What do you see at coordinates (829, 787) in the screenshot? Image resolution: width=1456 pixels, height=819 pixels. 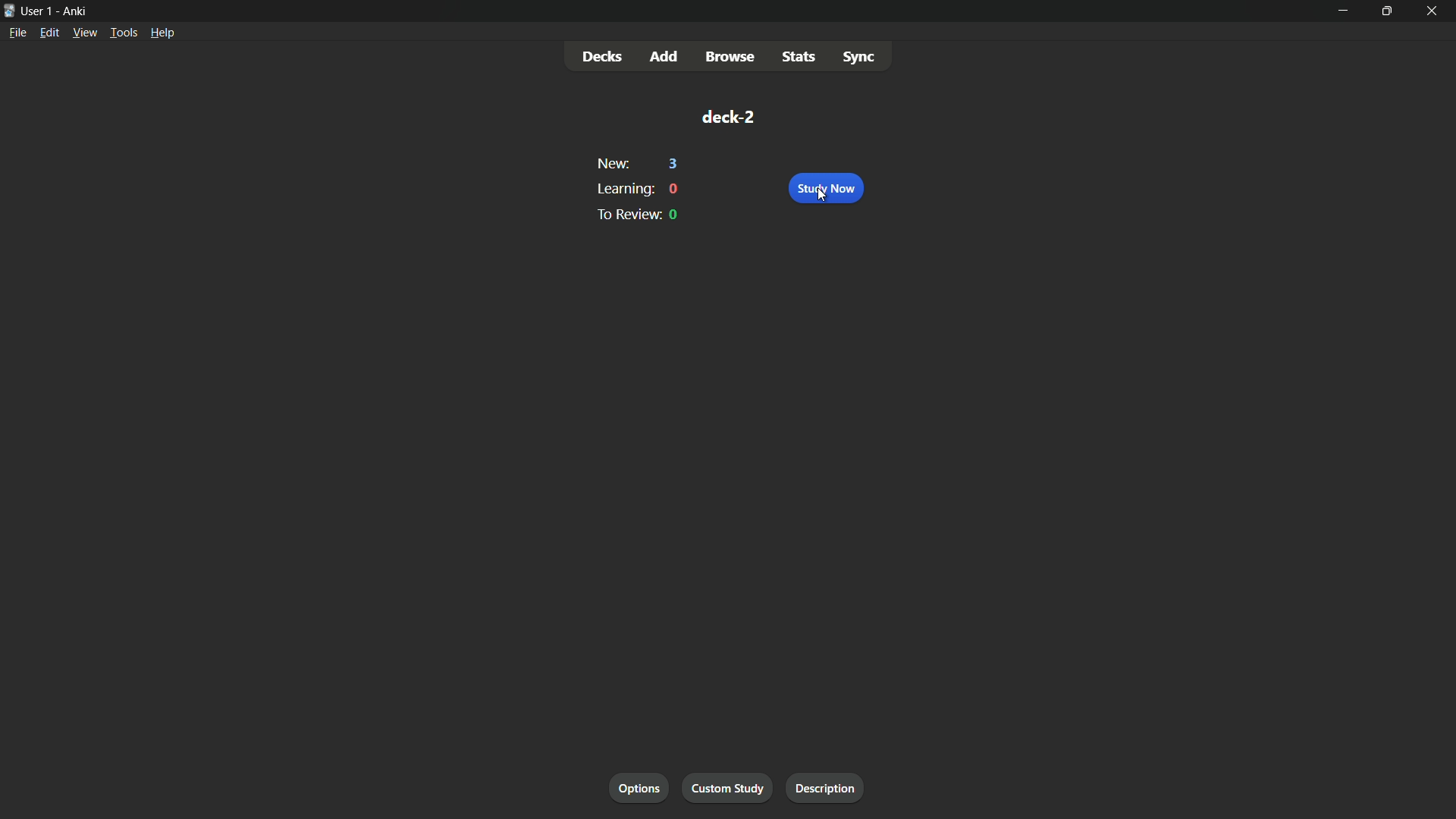 I see `description` at bounding box center [829, 787].